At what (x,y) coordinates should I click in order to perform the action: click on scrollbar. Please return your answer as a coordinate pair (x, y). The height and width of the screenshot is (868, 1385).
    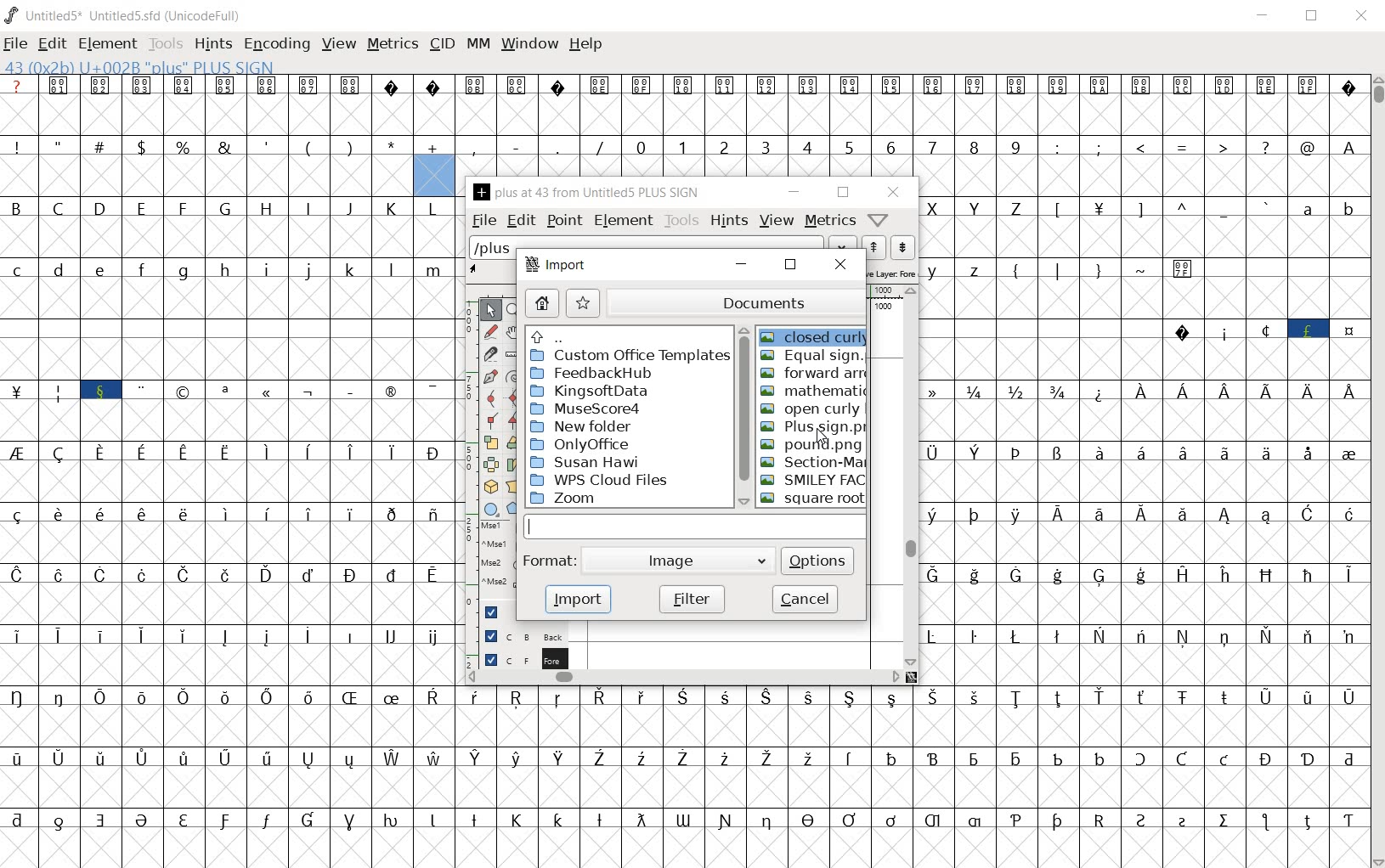
    Looking at the image, I should click on (913, 479).